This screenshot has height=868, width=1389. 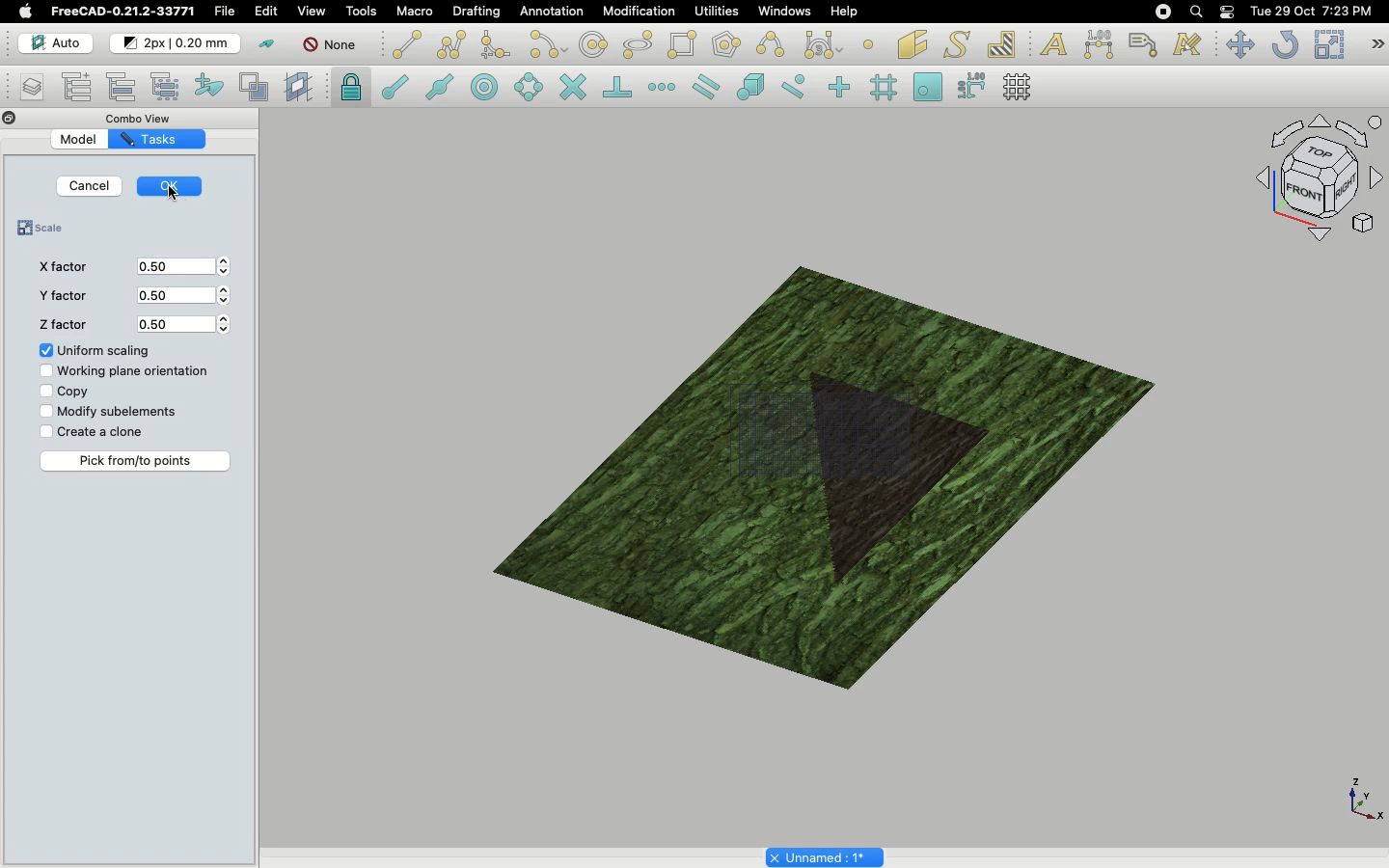 I want to click on Annotation styles, so click(x=1186, y=46).